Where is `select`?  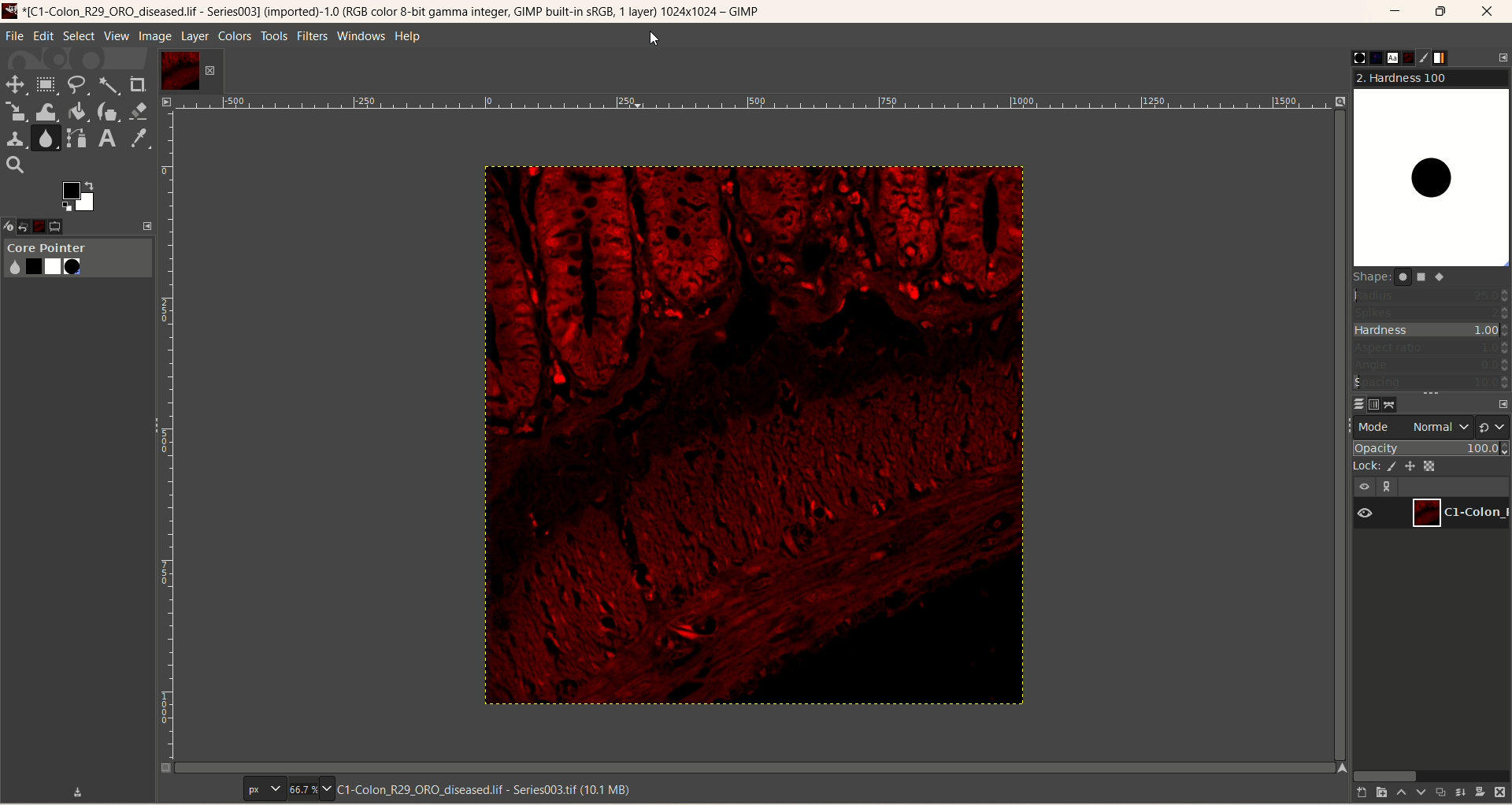
select is located at coordinates (79, 36).